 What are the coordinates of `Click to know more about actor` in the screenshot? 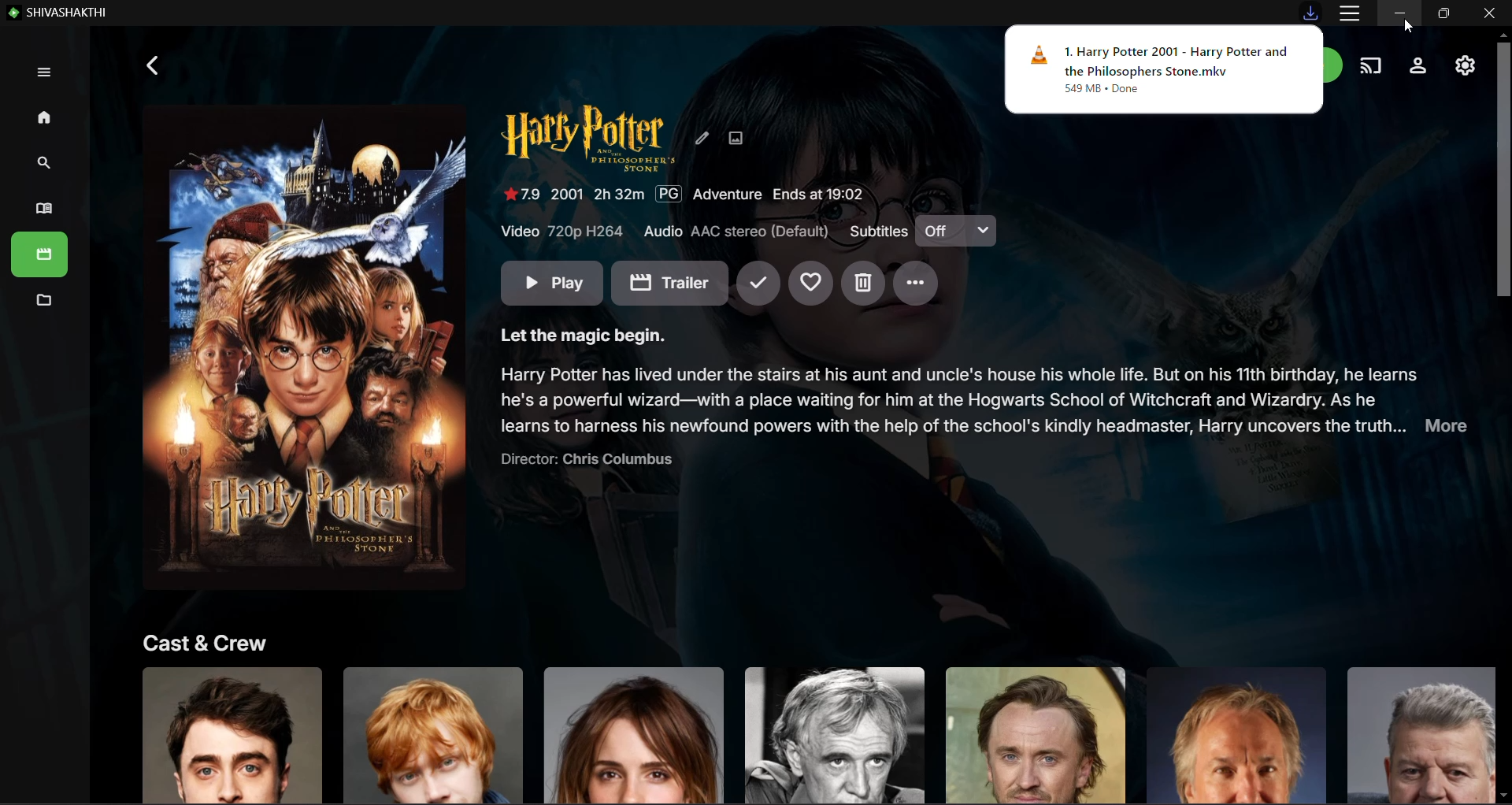 It's located at (833, 734).